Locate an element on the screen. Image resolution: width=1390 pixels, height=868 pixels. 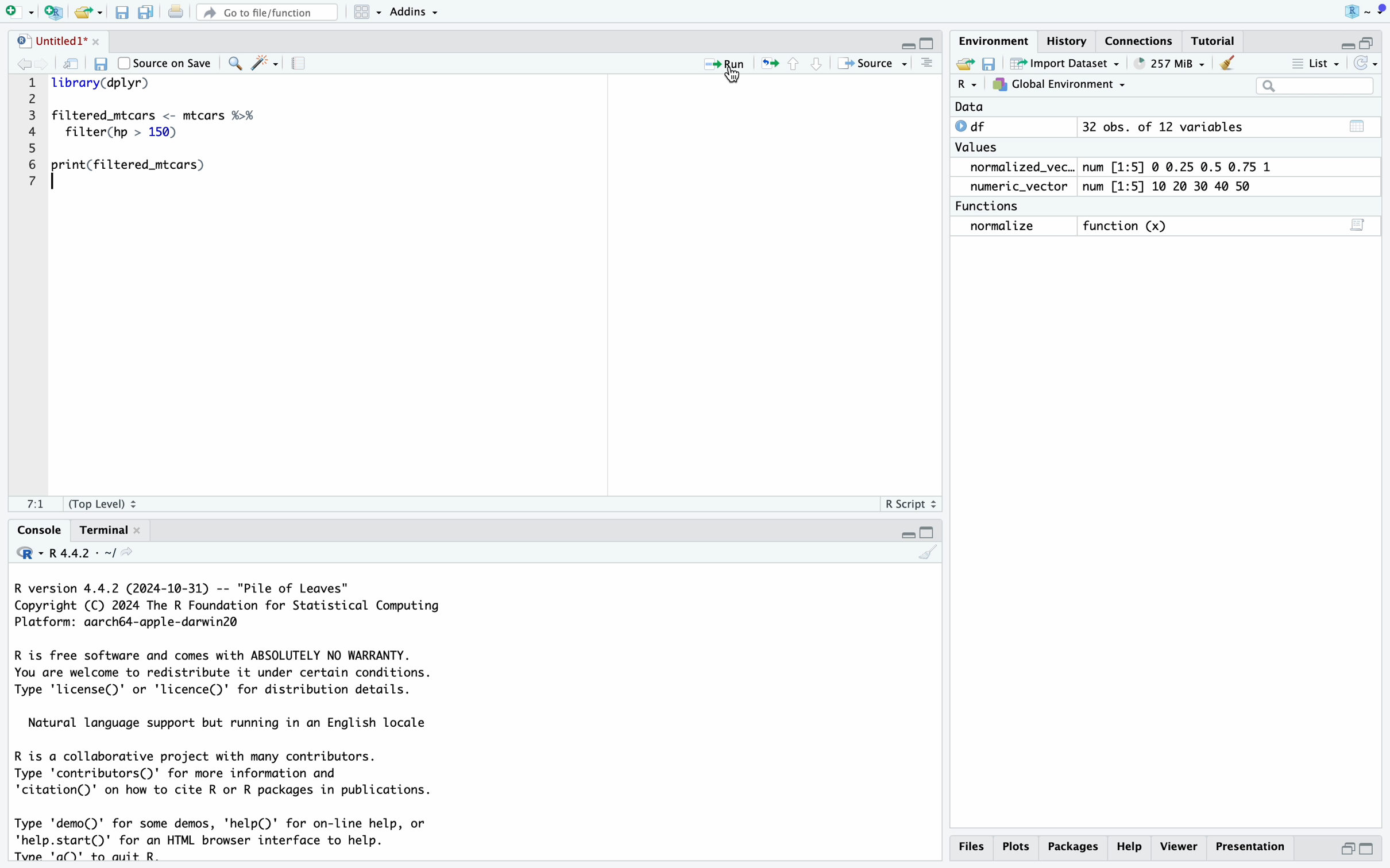
maximize is located at coordinates (1368, 849).